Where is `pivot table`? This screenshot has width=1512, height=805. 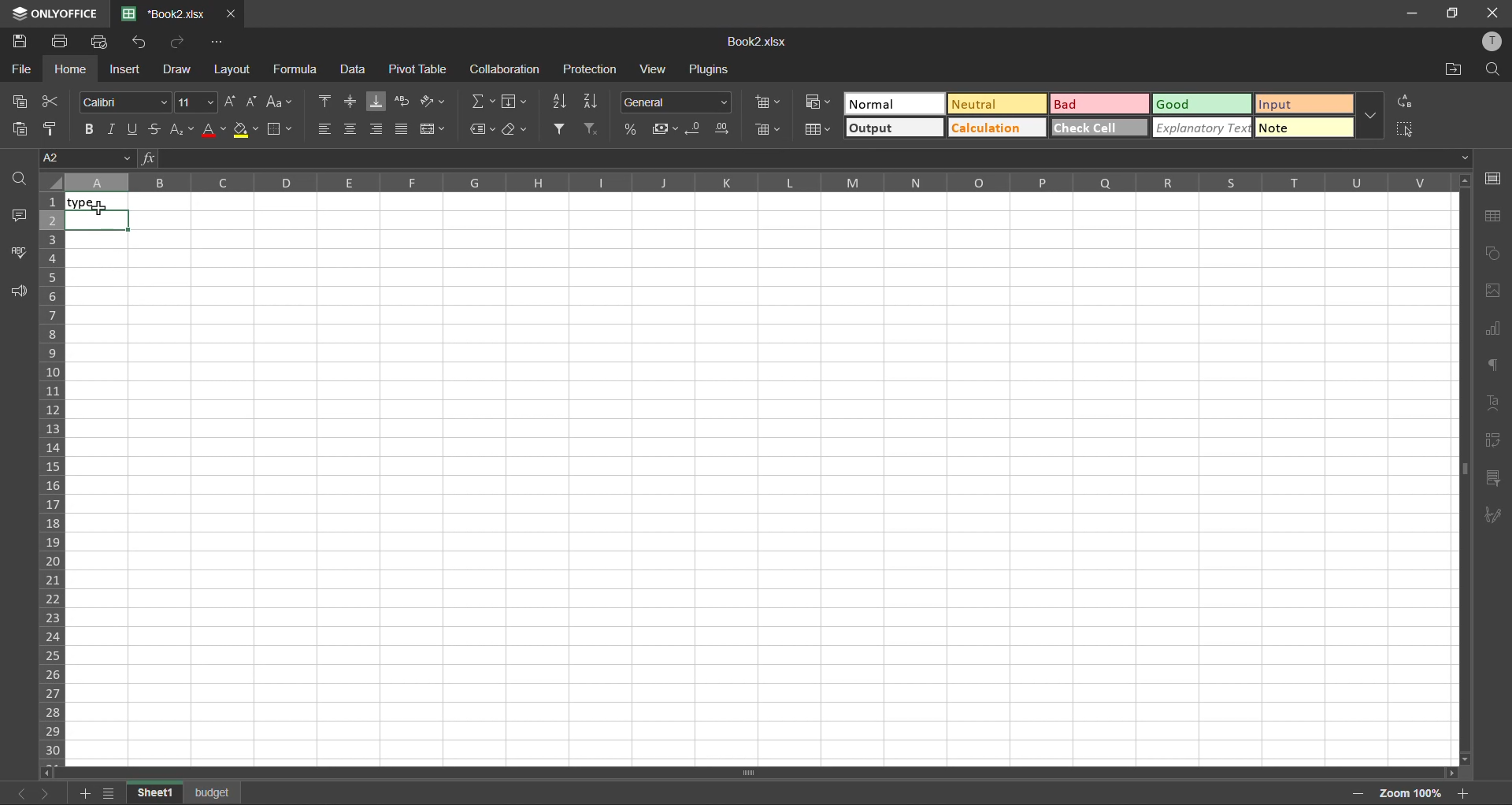
pivot table is located at coordinates (417, 69).